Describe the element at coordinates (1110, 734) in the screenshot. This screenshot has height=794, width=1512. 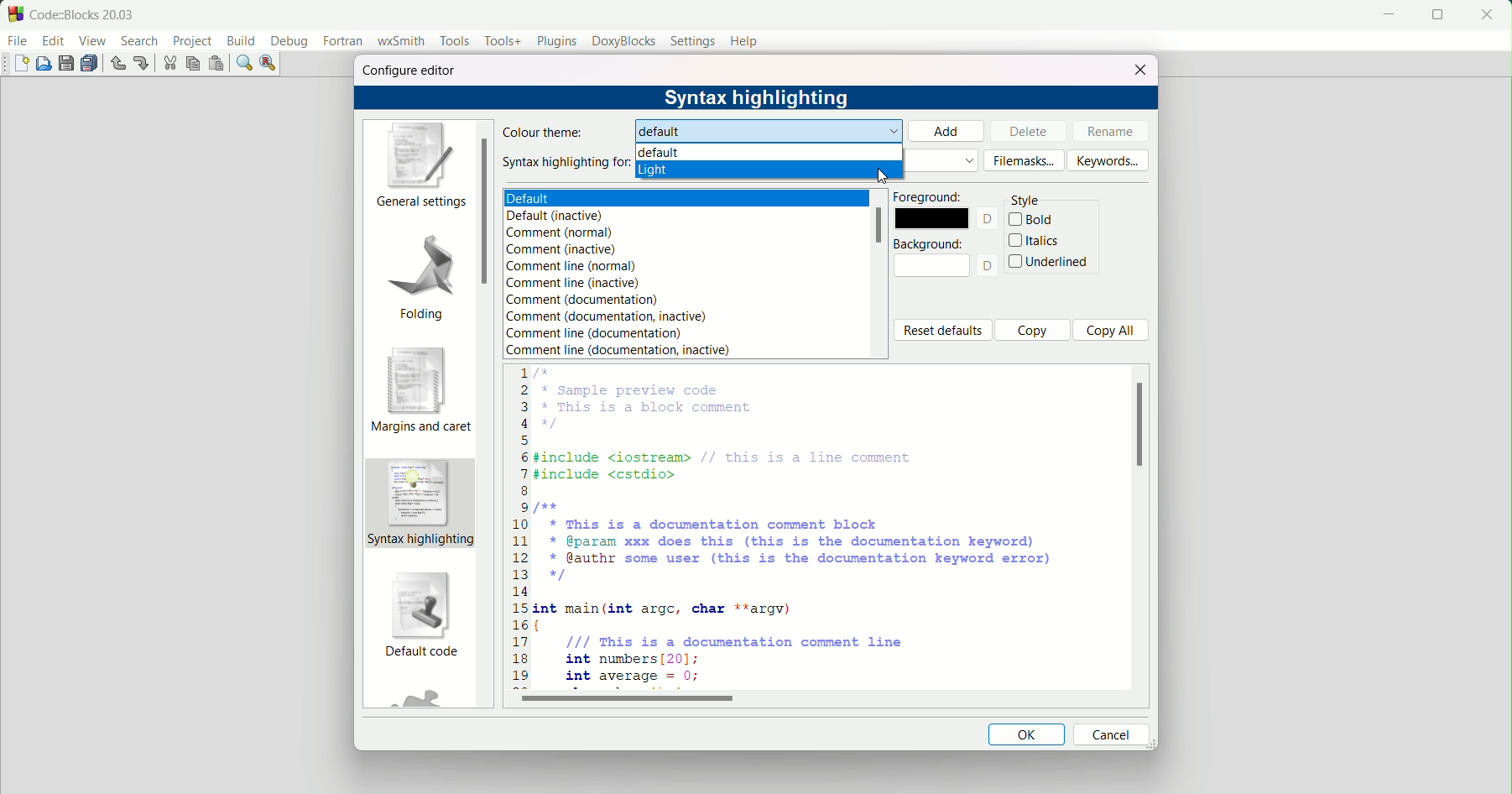
I see `cancel` at that location.